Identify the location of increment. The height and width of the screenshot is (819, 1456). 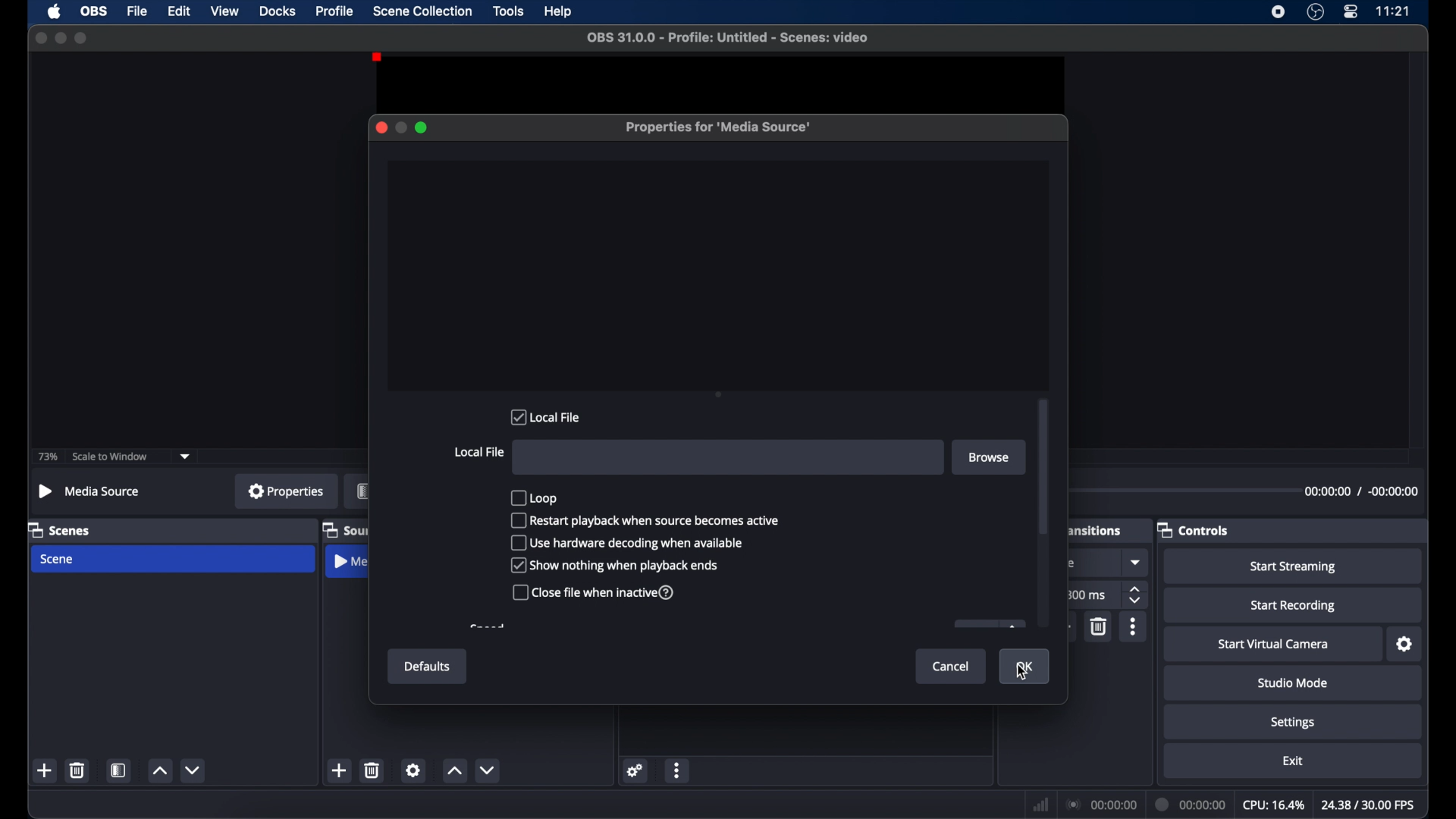
(159, 770).